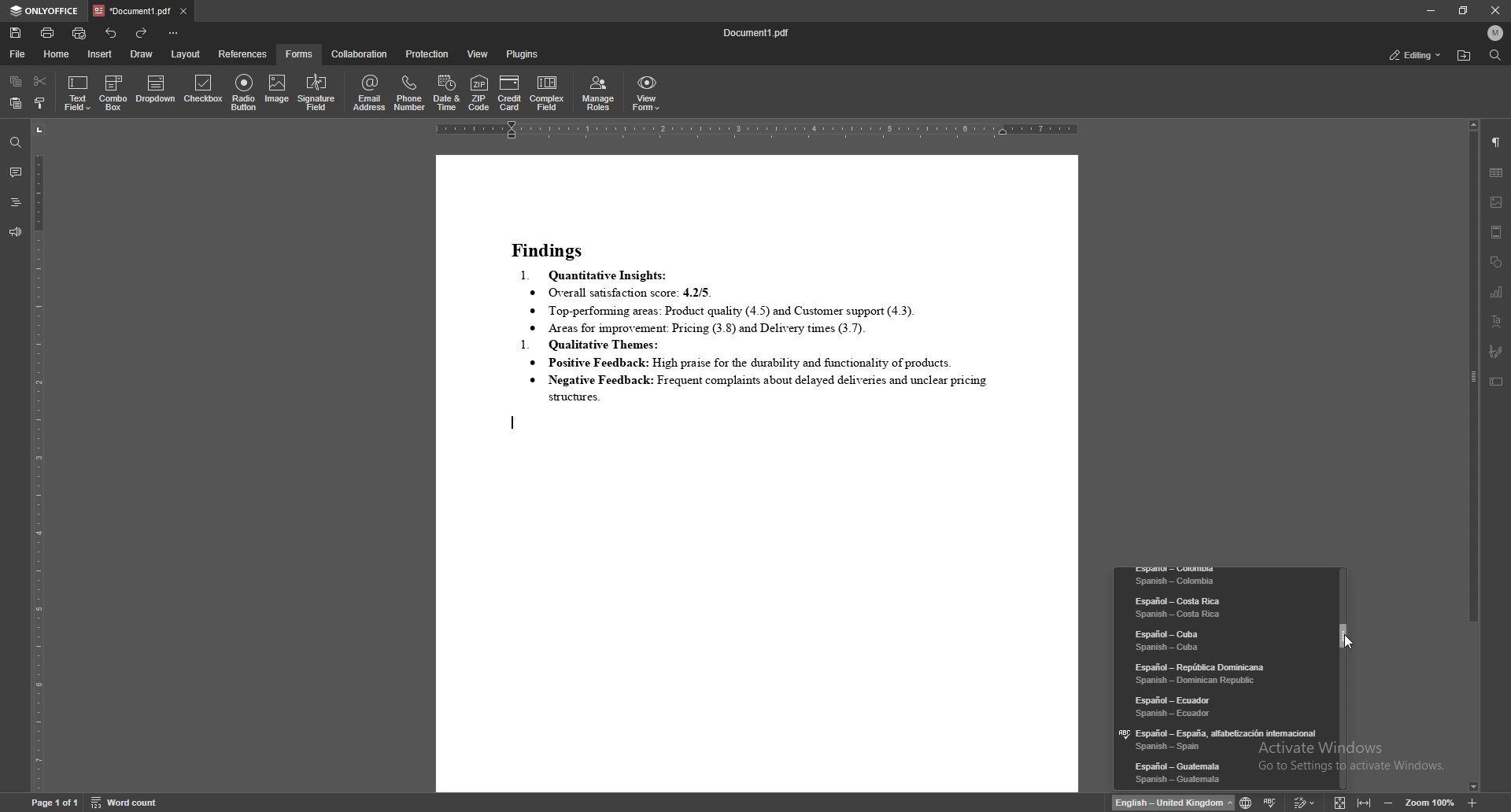  Describe the element at coordinates (99, 54) in the screenshot. I see `insert` at that location.